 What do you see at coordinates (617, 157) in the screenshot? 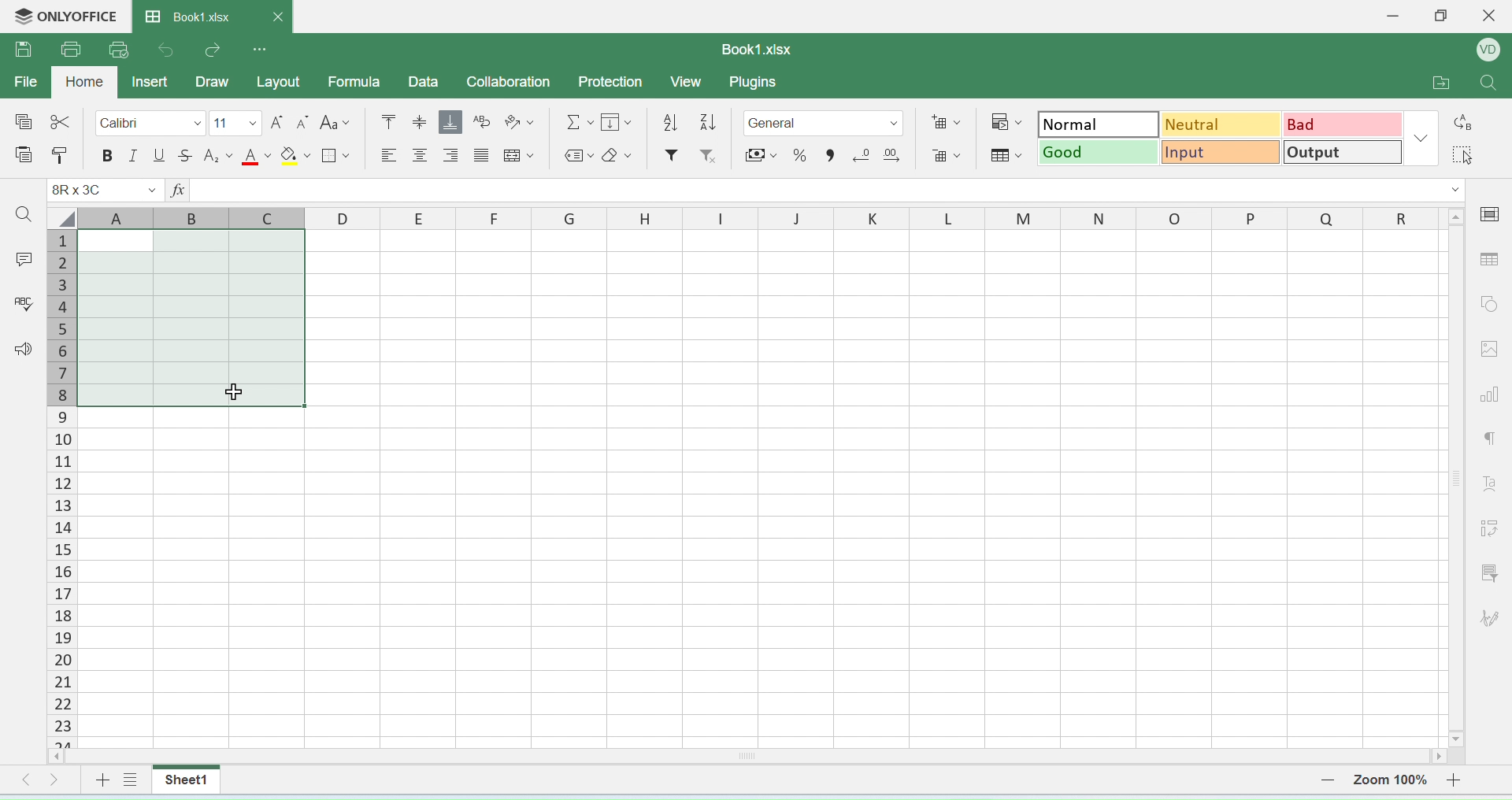
I see `erase` at bounding box center [617, 157].